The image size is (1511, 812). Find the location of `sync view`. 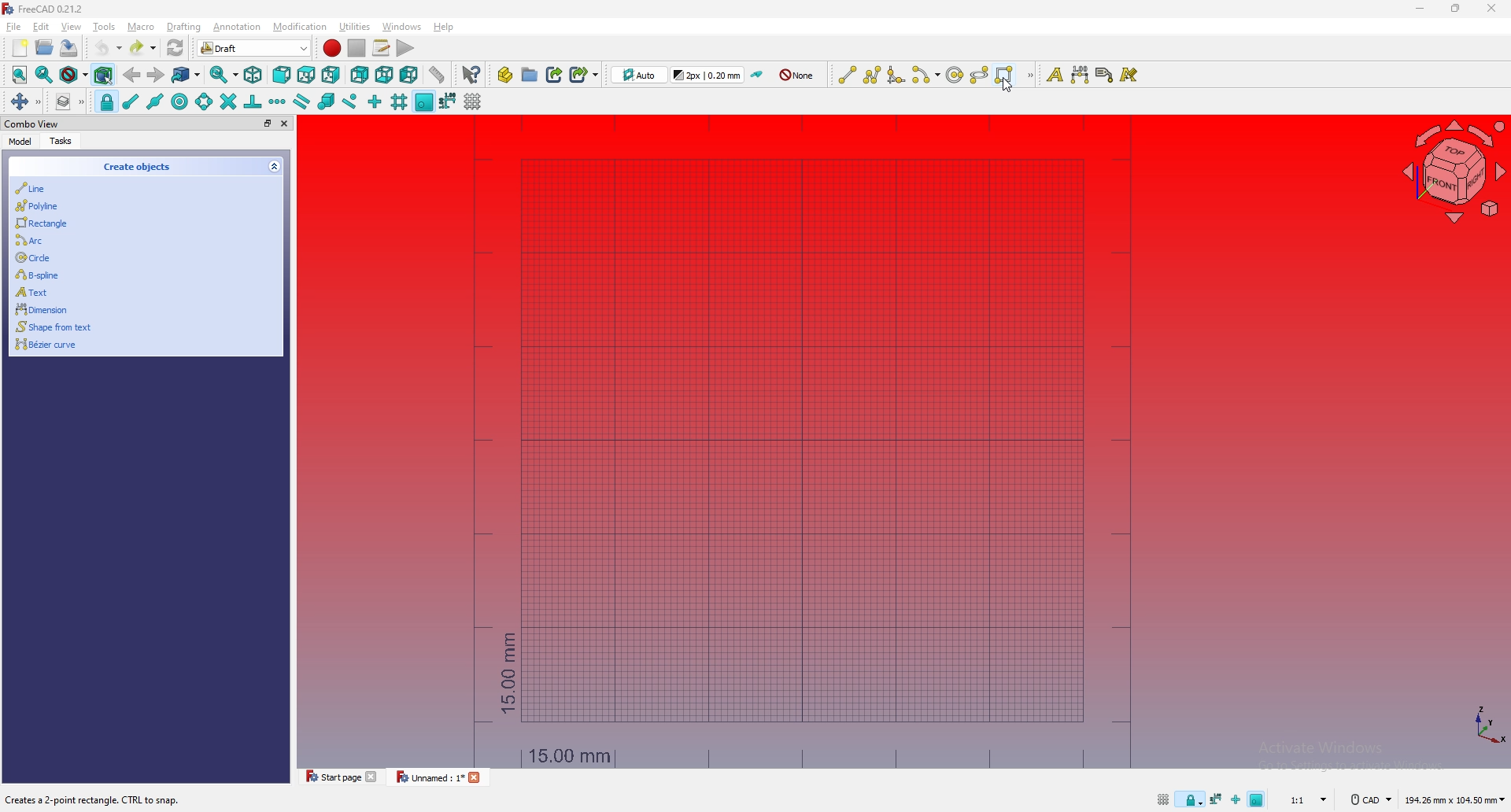

sync view is located at coordinates (224, 75).